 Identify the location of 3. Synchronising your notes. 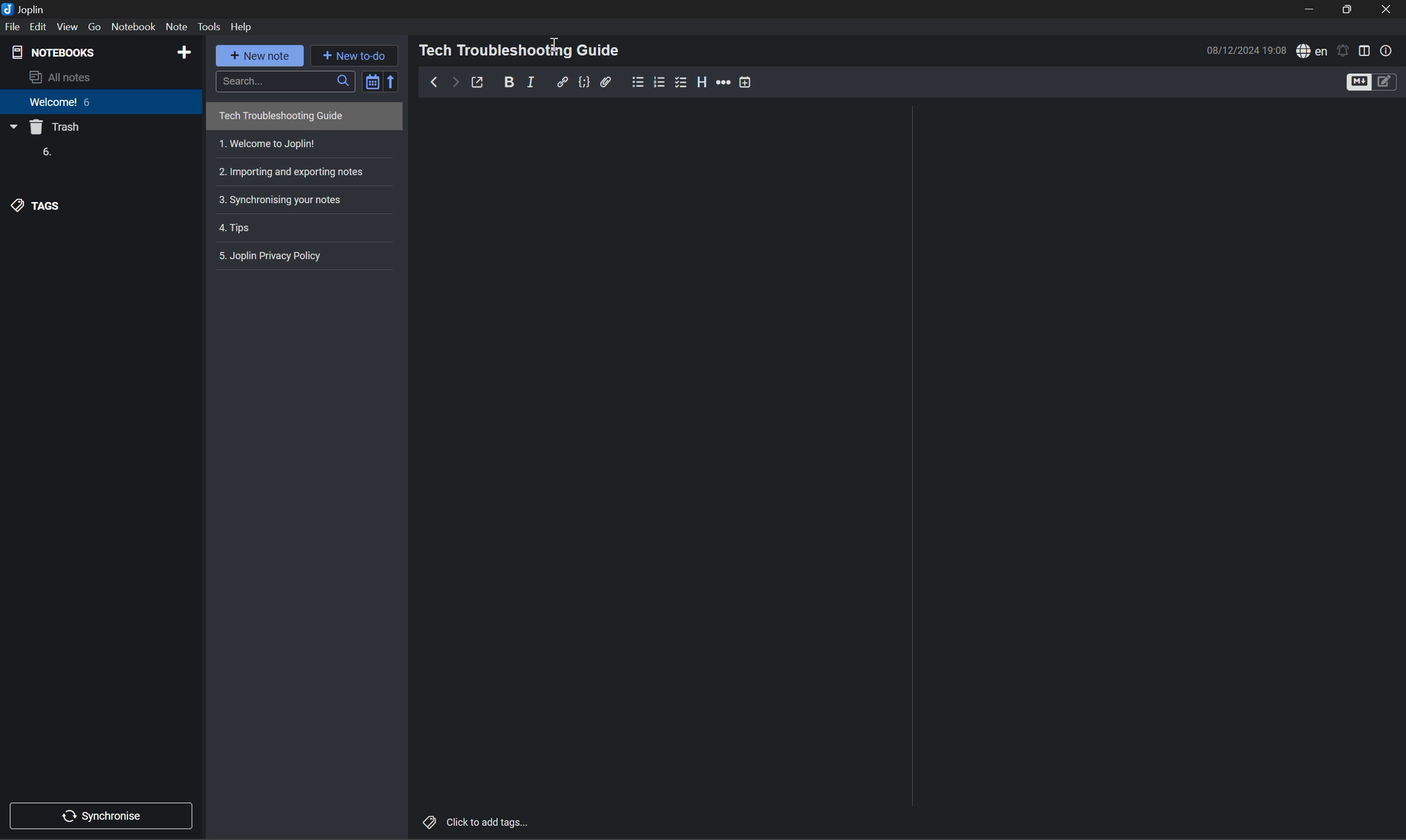
(283, 199).